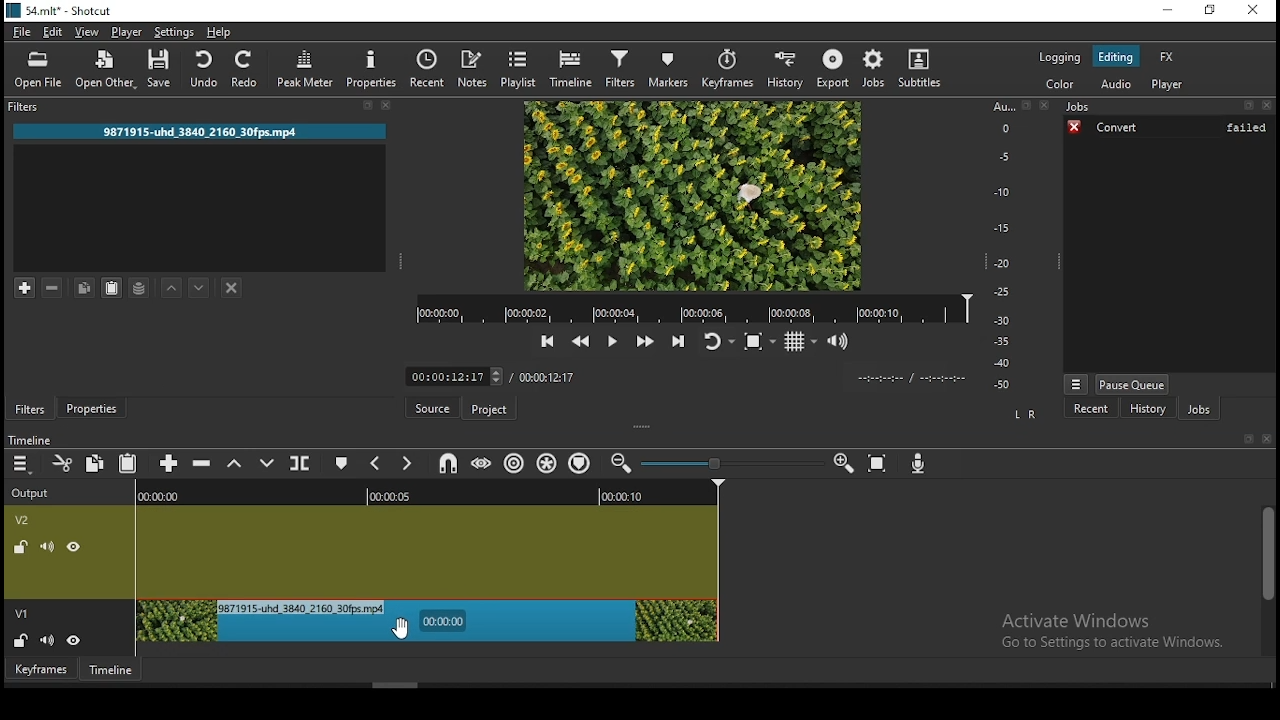 The width and height of the screenshot is (1280, 720). What do you see at coordinates (547, 464) in the screenshot?
I see `ripple all tracks` at bounding box center [547, 464].